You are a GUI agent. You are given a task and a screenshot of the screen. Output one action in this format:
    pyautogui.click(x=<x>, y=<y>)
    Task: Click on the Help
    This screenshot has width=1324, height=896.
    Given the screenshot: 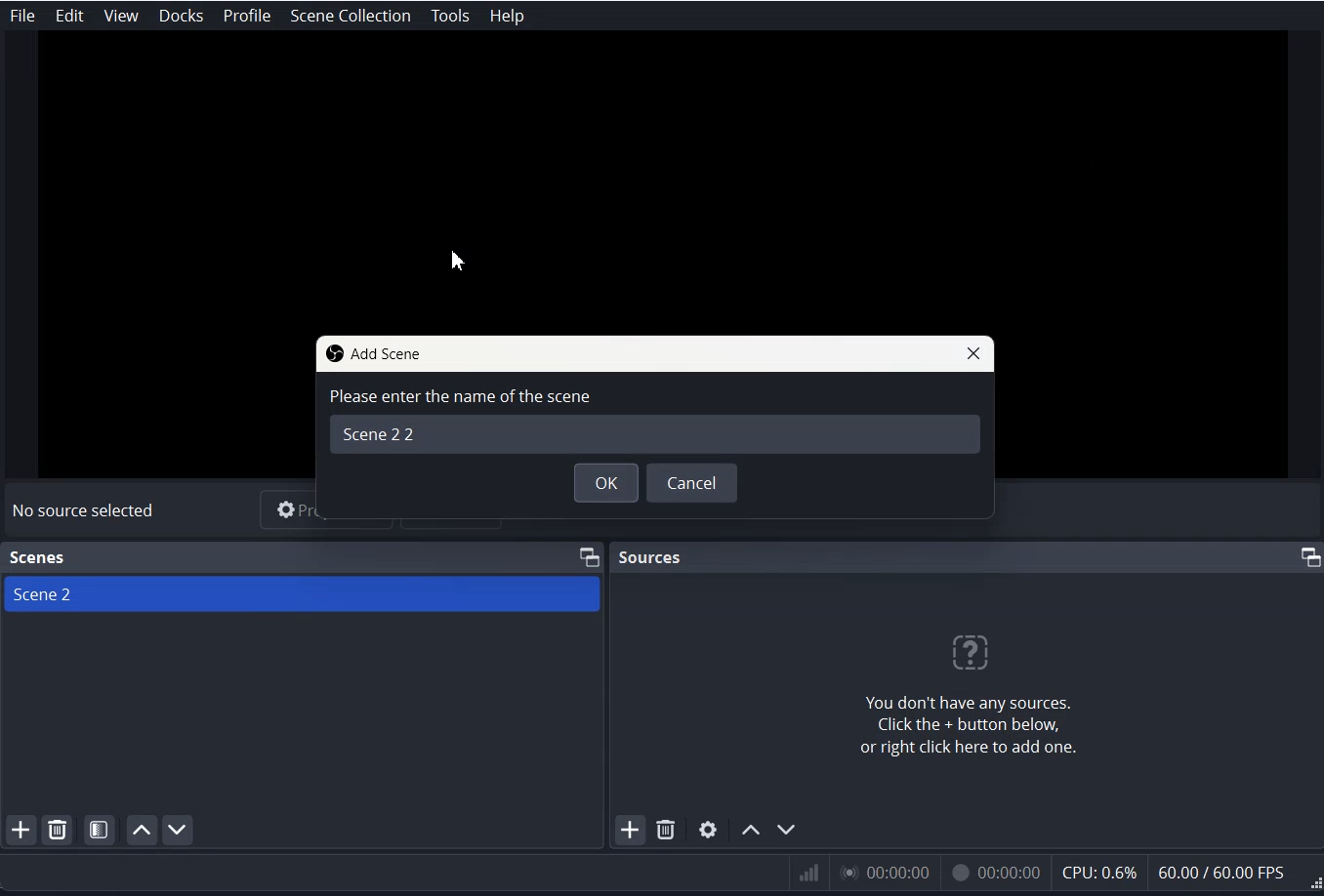 What is the action you would take?
    pyautogui.click(x=506, y=15)
    